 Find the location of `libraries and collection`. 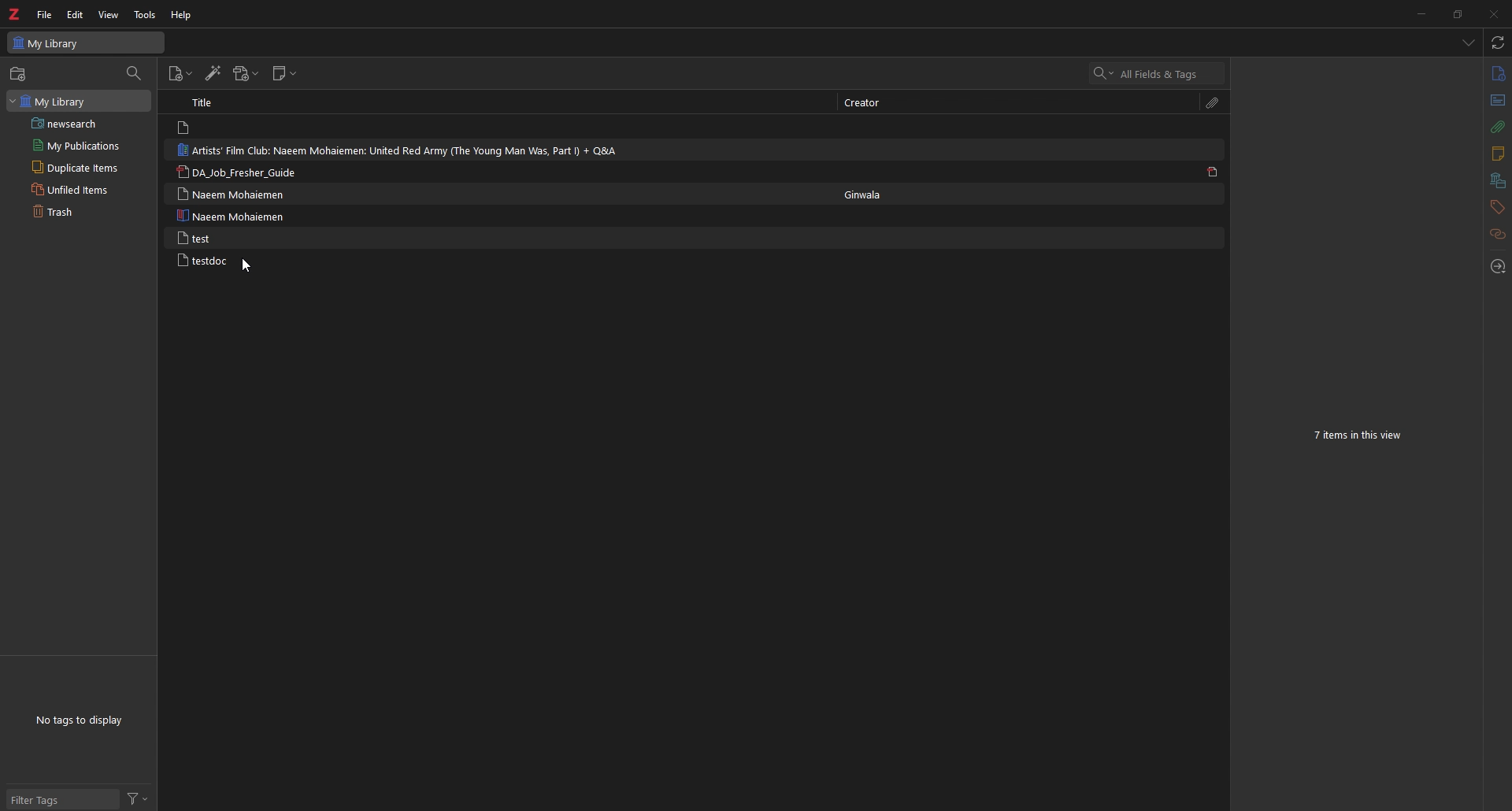

libraries and collection is located at coordinates (1498, 182).